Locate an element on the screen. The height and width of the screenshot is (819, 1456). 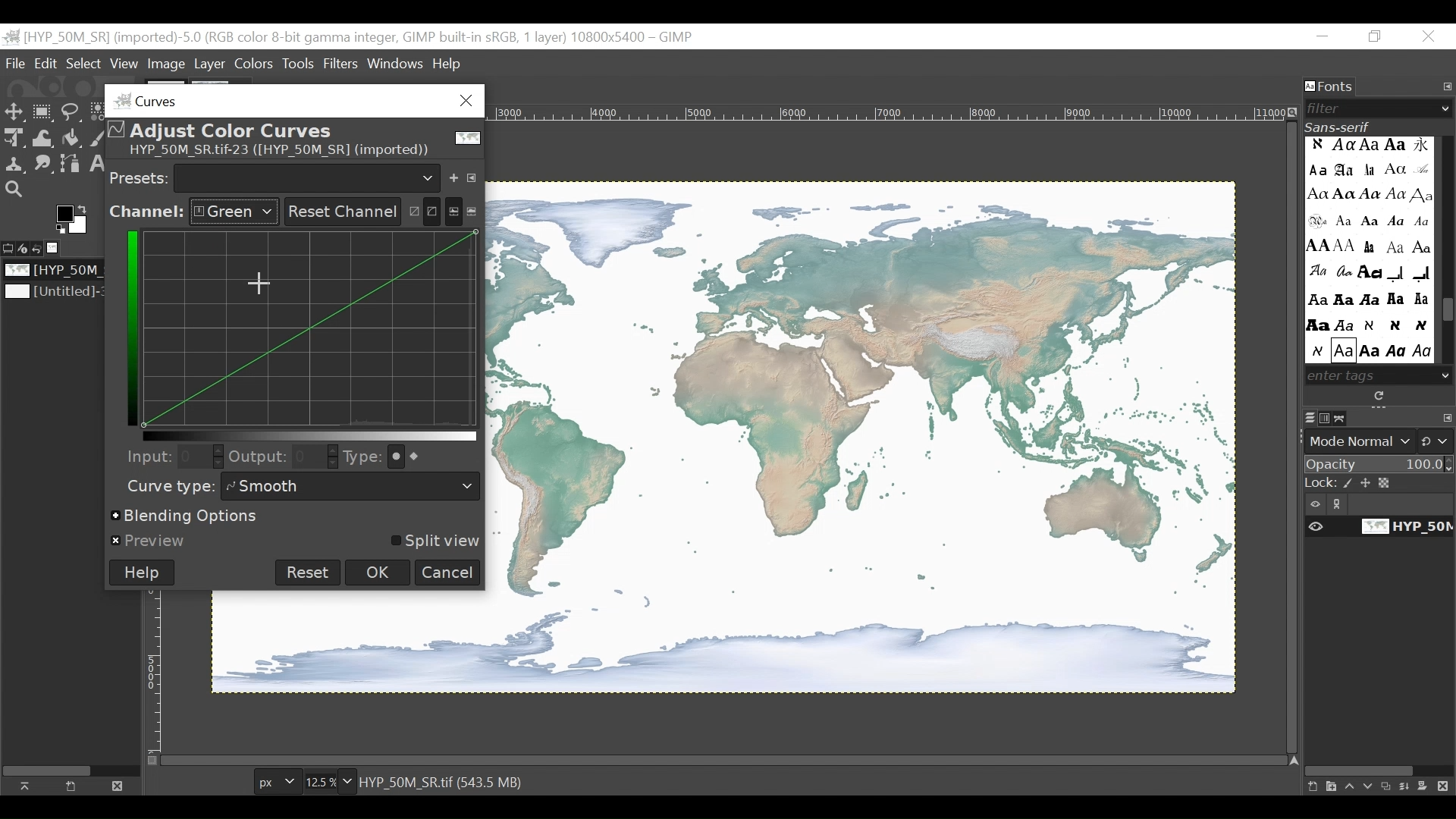
Select is located at coordinates (83, 64).